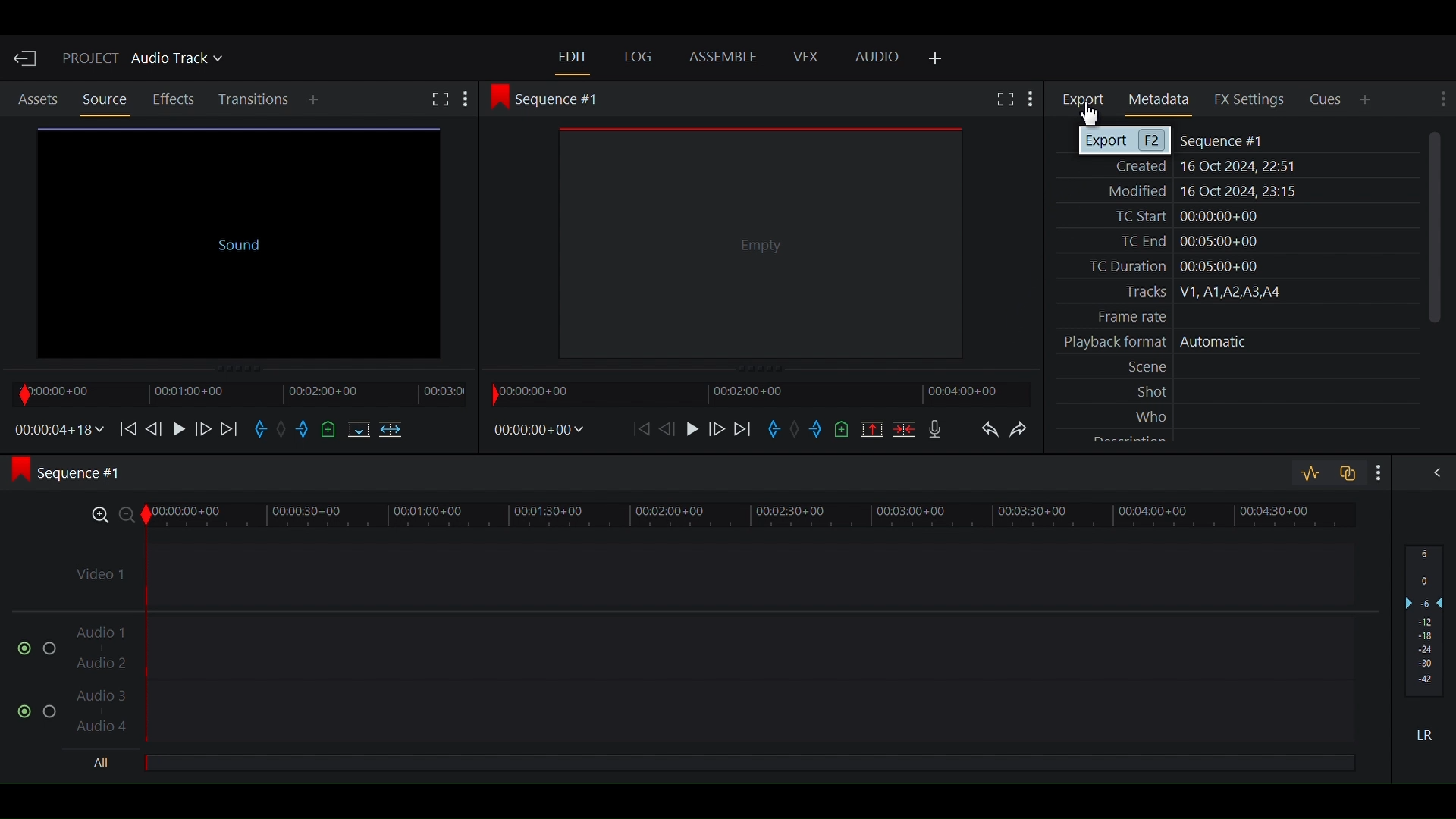 This screenshot has height=819, width=1456. I want to click on Shot, so click(1146, 391).